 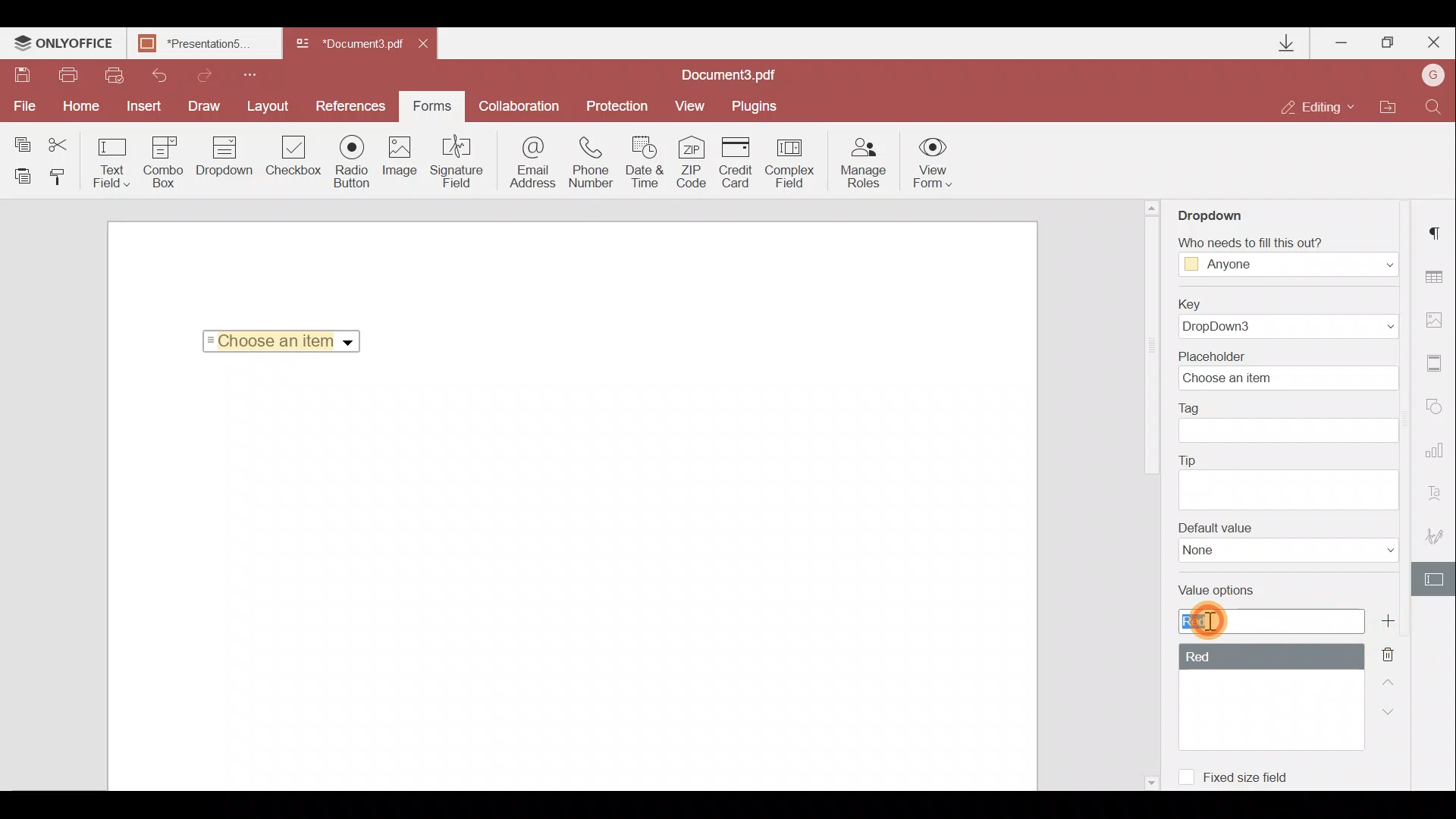 What do you see at coordinates (459, 165) in the screenshot?
I see `Signature field` at bounding box center [459, 165].